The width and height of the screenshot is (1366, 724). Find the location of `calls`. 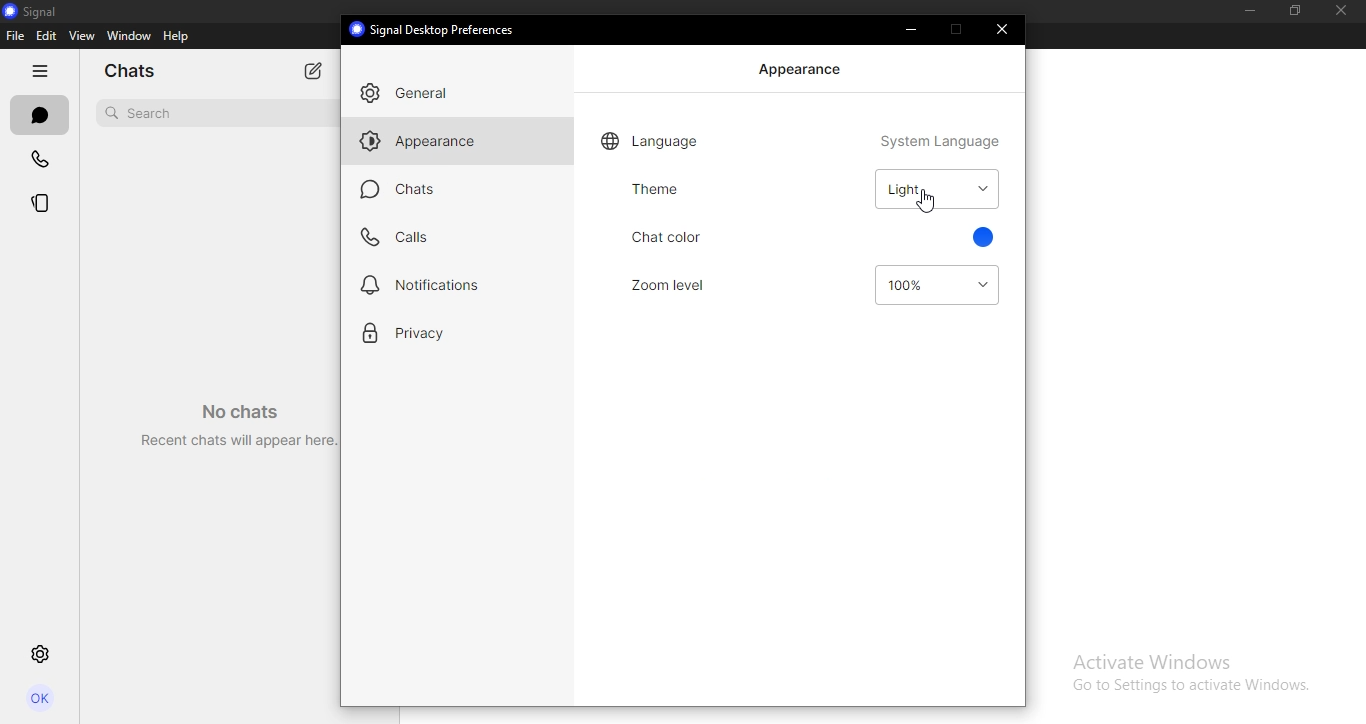

calls is located at coordinates (40, 161).